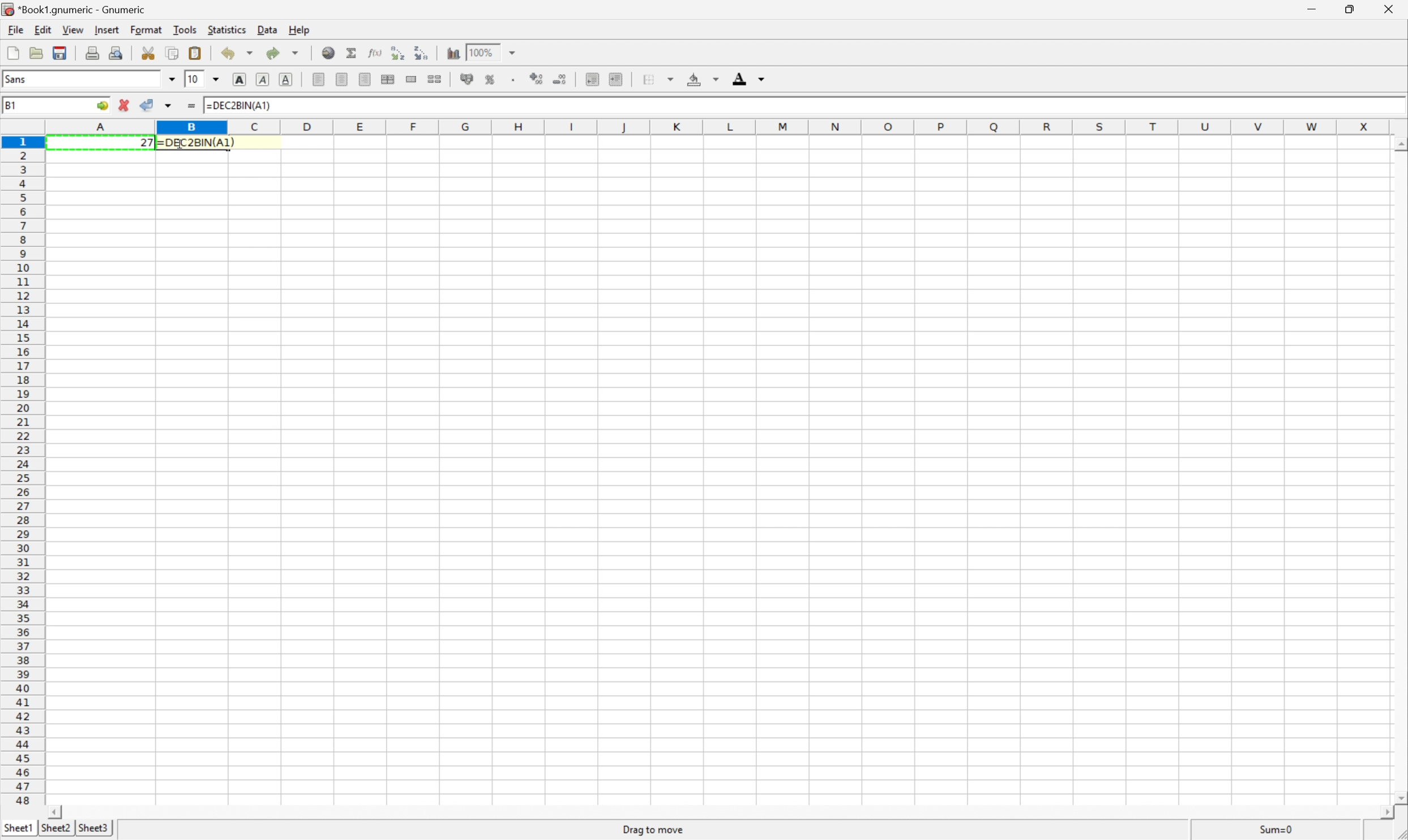 Image resolution: width=1408 pixels, height=840 pixels. What do you see at coordinates (513, 52) in the screenshot?
I see `Drop Down` at bounding box center [513, 52].